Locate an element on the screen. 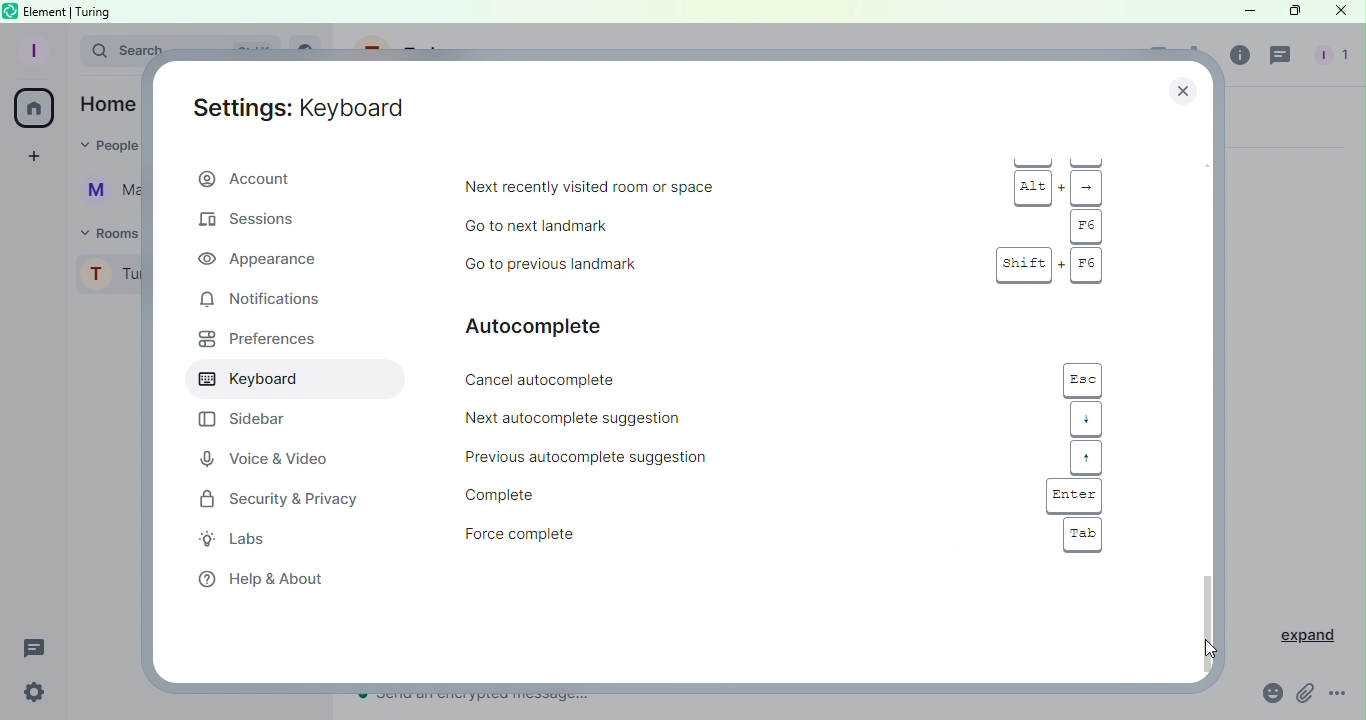 The width and height of the screenshot is (1366, 720). Sidebar is located at coordinates (239, 420).